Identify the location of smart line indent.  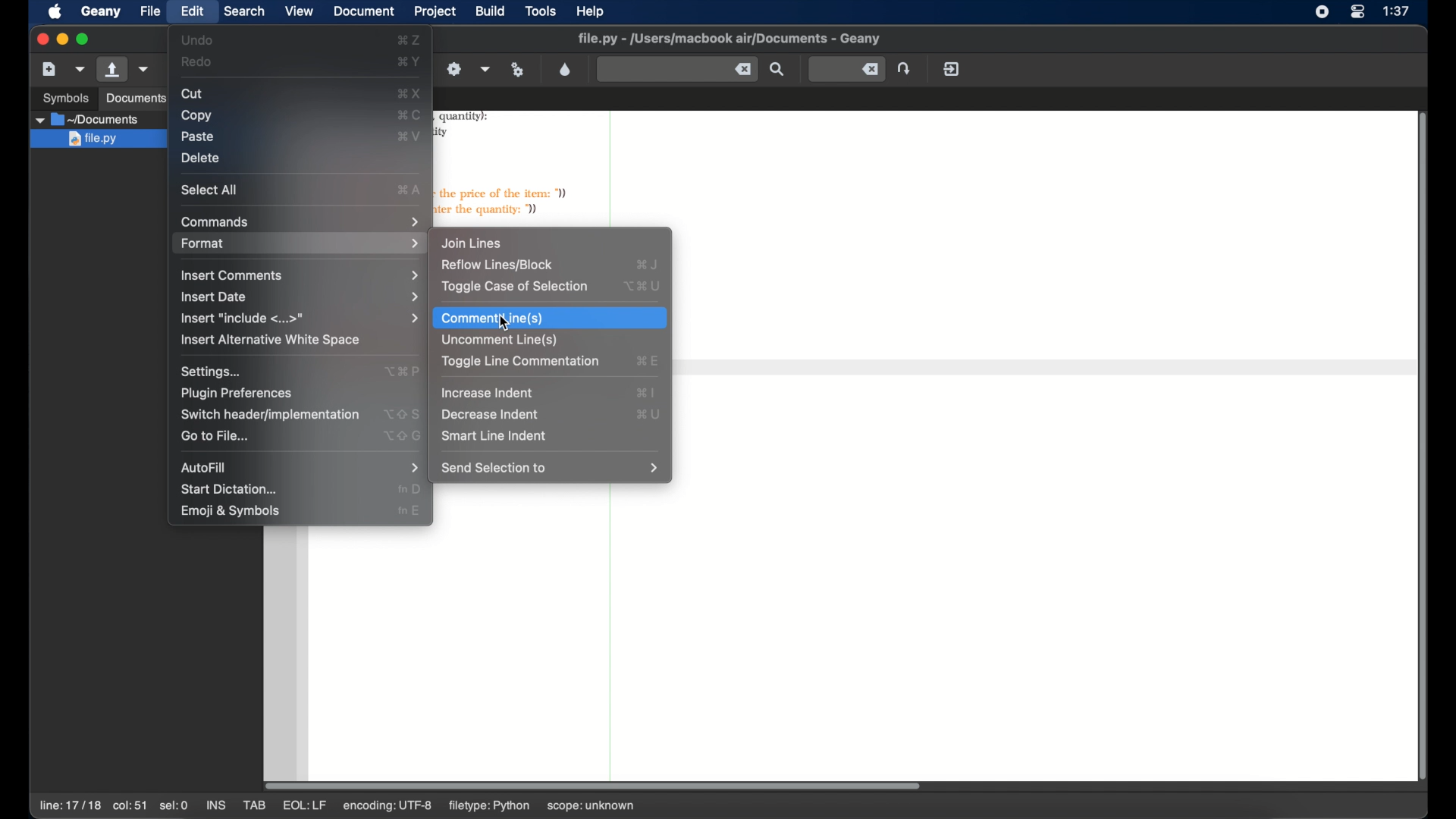
(494, 436).